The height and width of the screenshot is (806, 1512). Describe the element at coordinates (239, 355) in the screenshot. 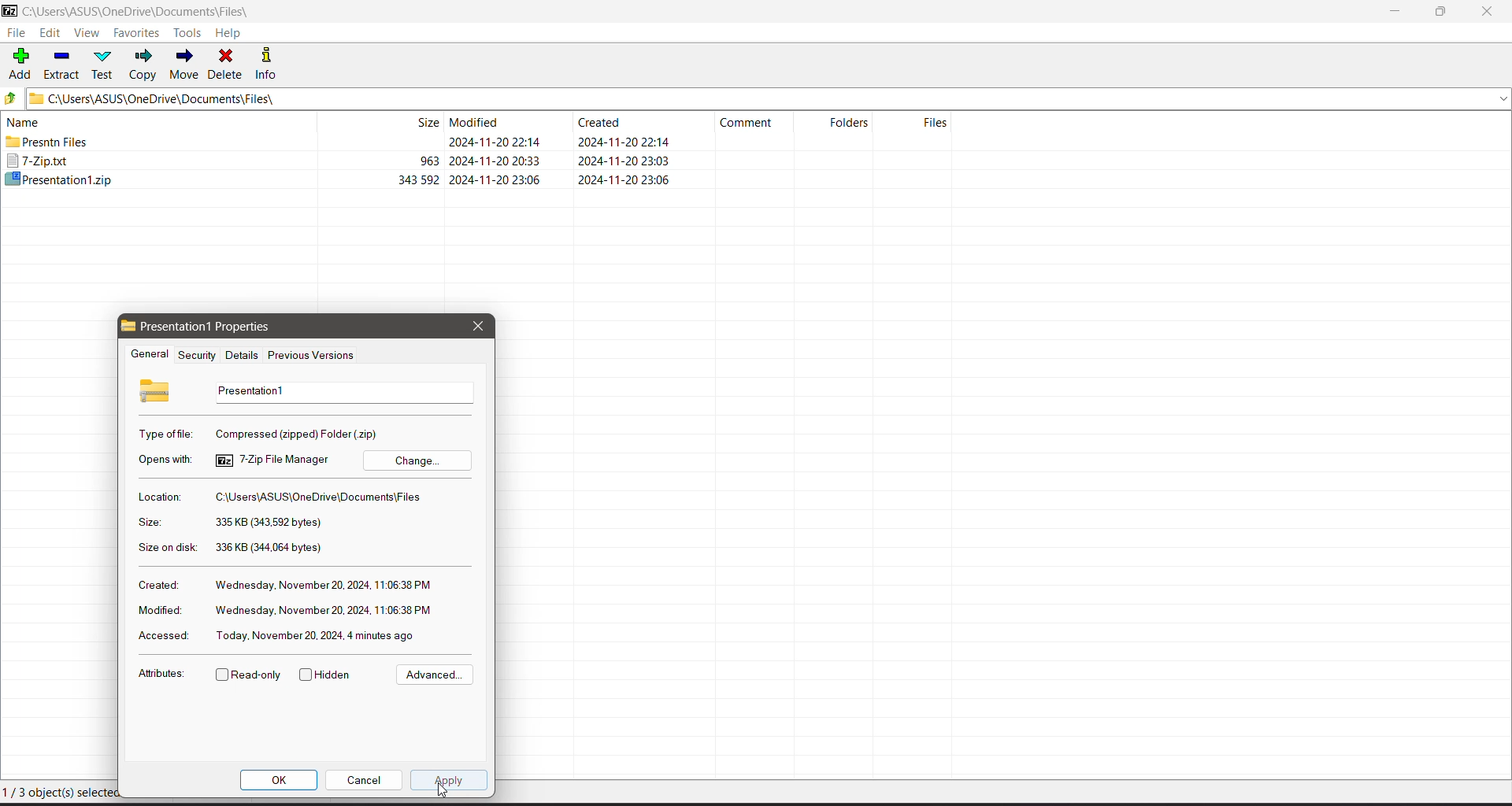

I see `Details` at that location.